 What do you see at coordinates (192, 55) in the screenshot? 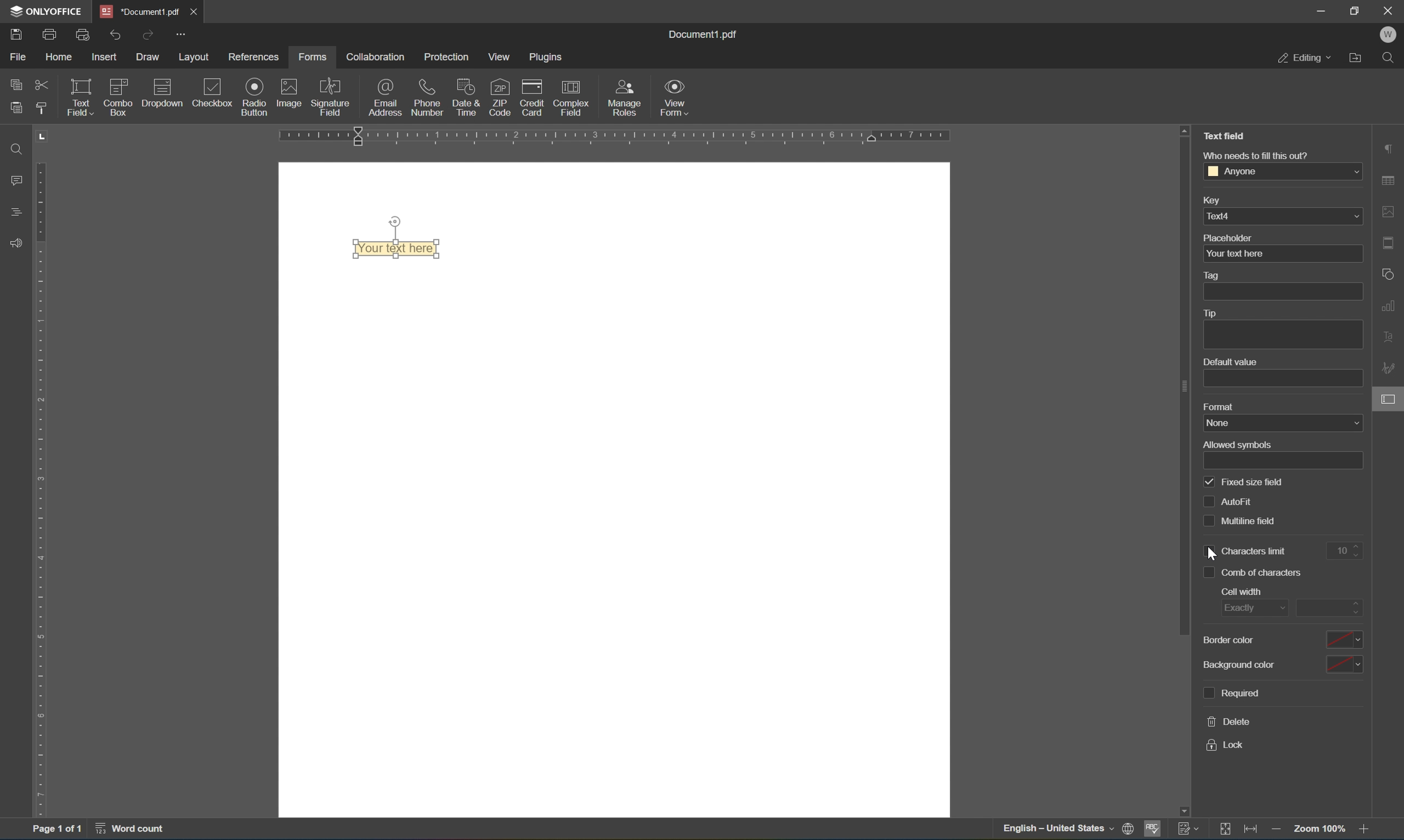
I see `layout` at bounding box center [192, 55].